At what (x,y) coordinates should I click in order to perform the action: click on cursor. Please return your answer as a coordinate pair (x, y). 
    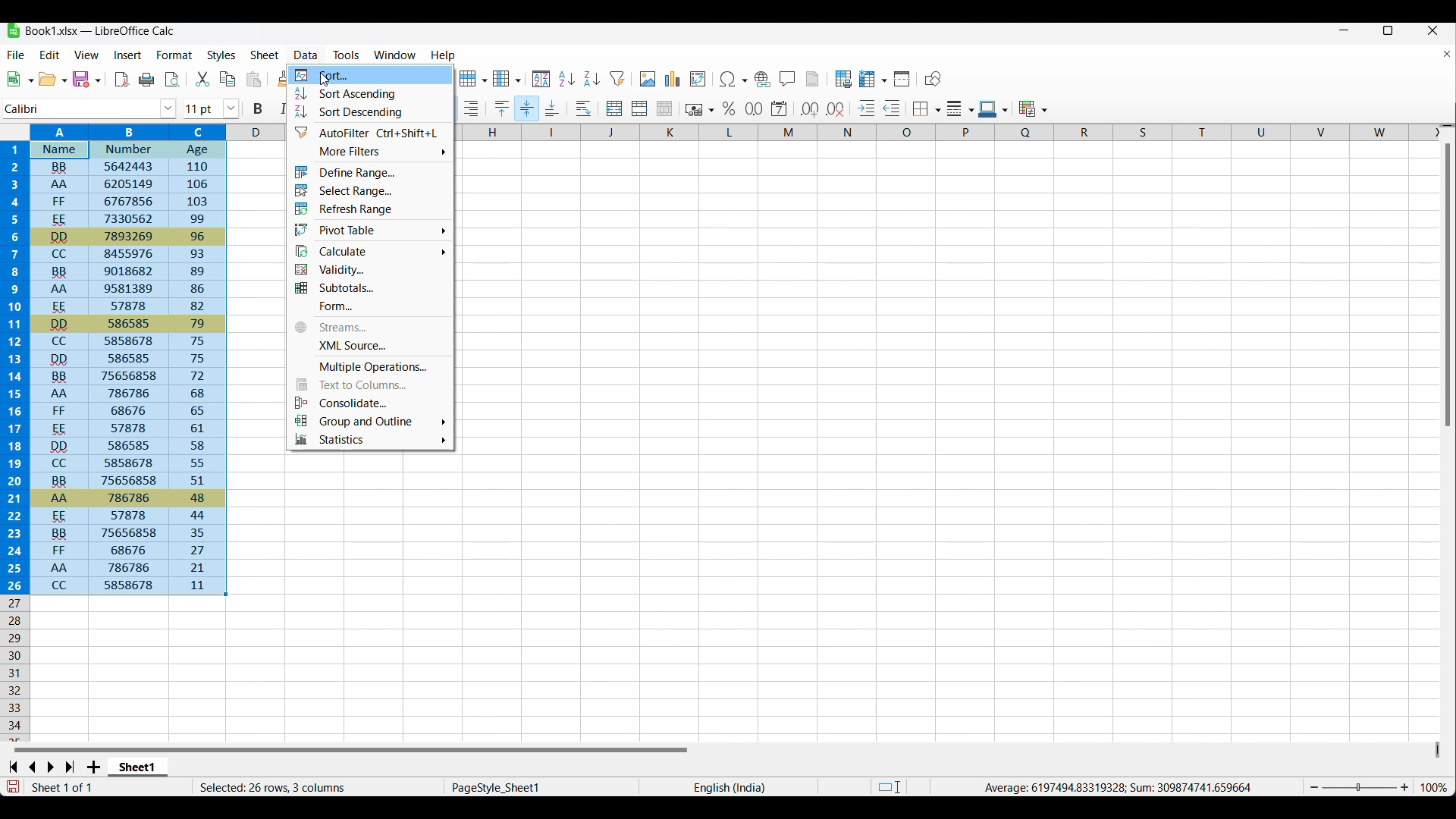
    Looking at the image, I should click on (326, 84).